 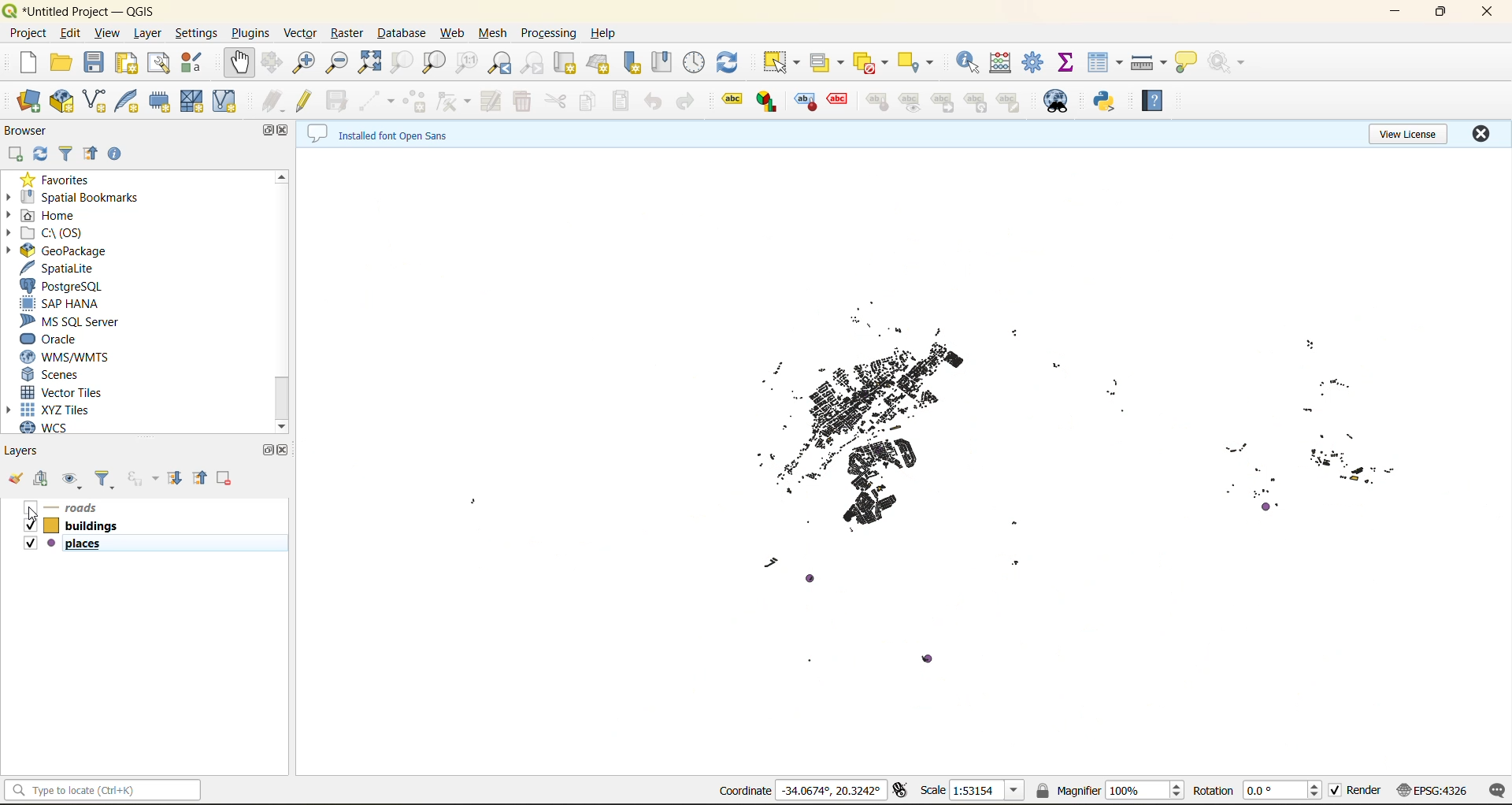 I want to click on redo, so click(x=685, y=100).